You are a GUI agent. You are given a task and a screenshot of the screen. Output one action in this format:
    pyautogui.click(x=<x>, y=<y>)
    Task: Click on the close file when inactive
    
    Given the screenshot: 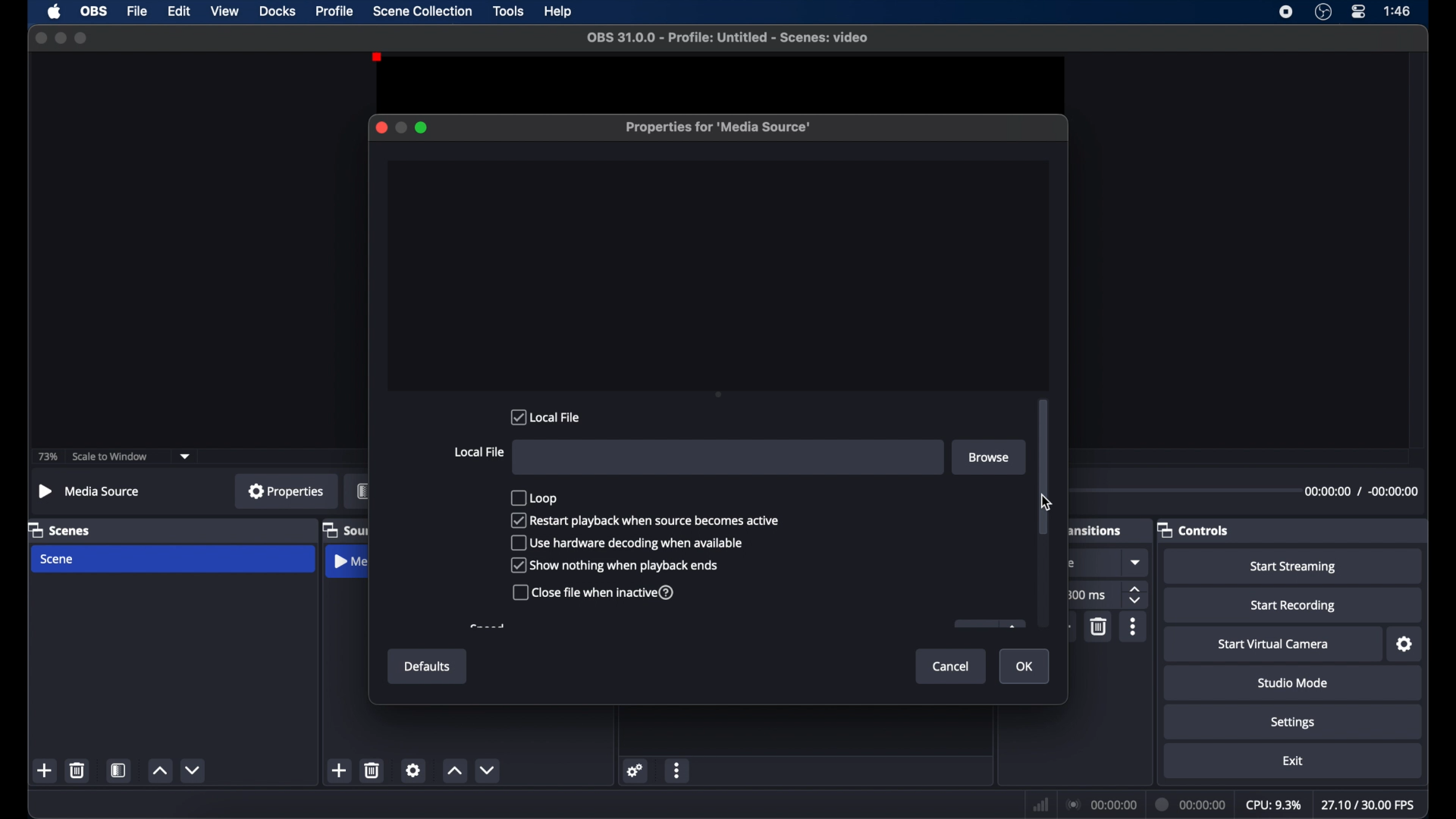 What is the action you would take?
    pyautogui.click(x=592, y=593)
    